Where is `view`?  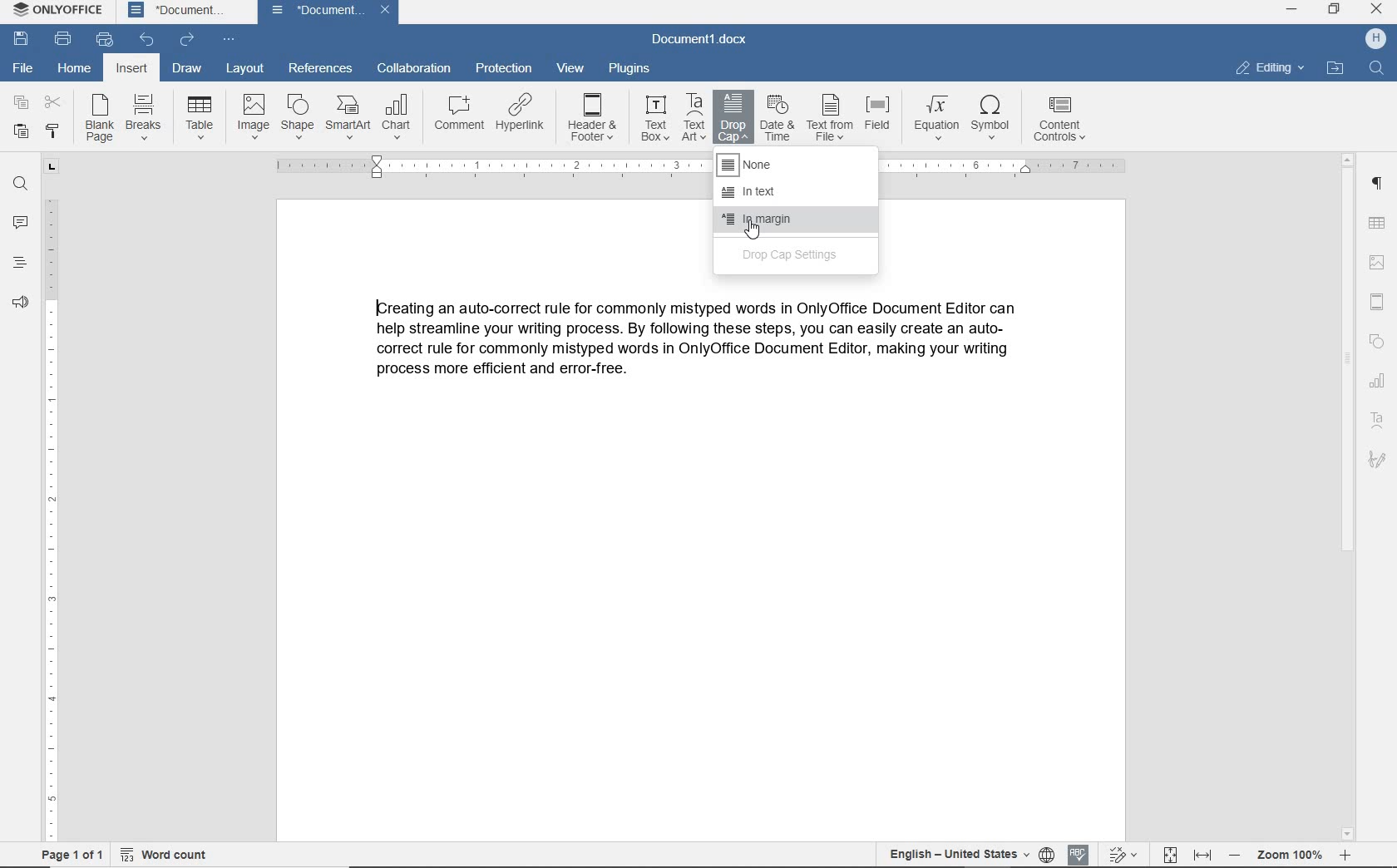
view is located at coordinates (571, 70).